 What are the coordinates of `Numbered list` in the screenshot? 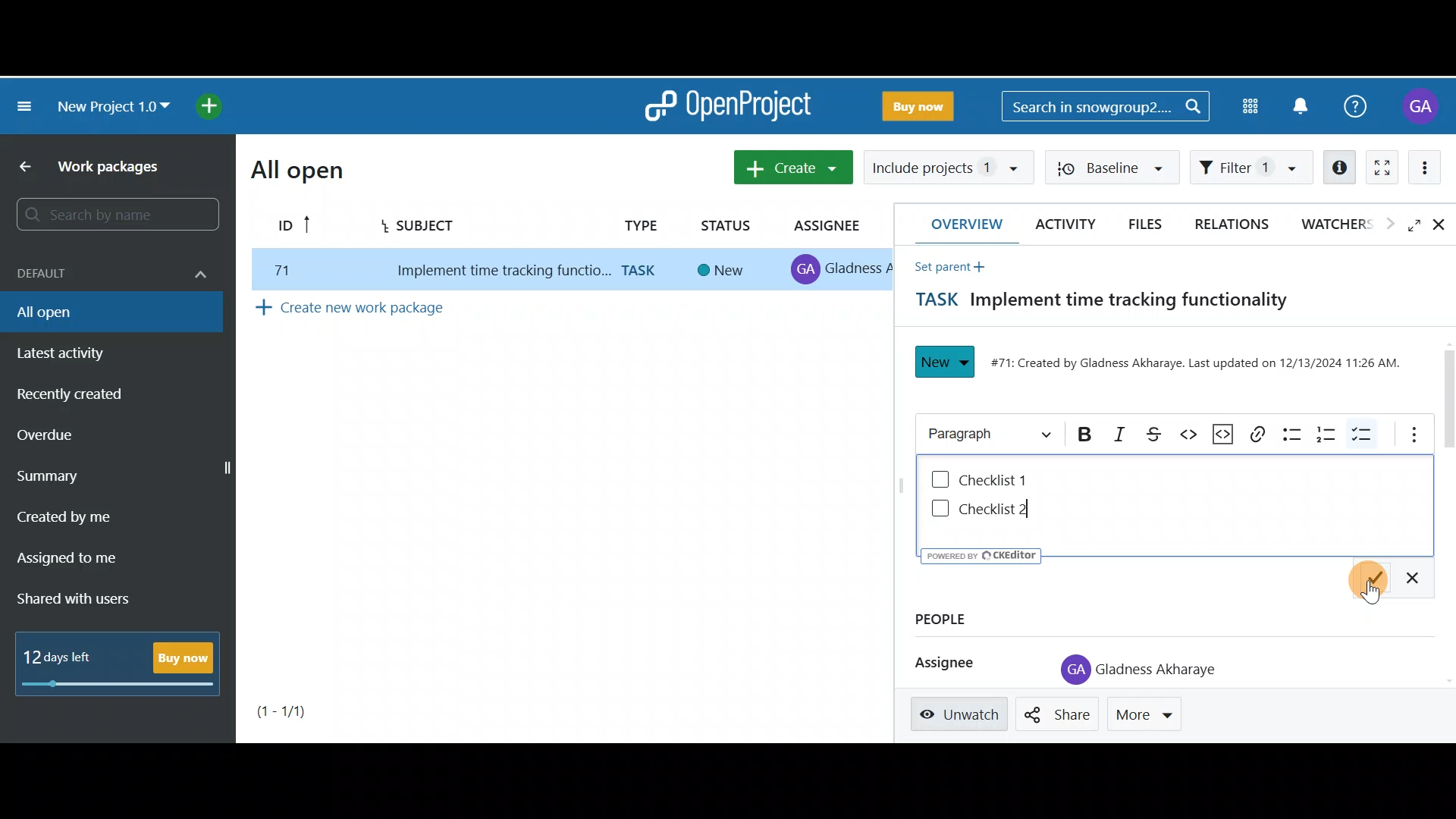 It's located at (1329, 431).